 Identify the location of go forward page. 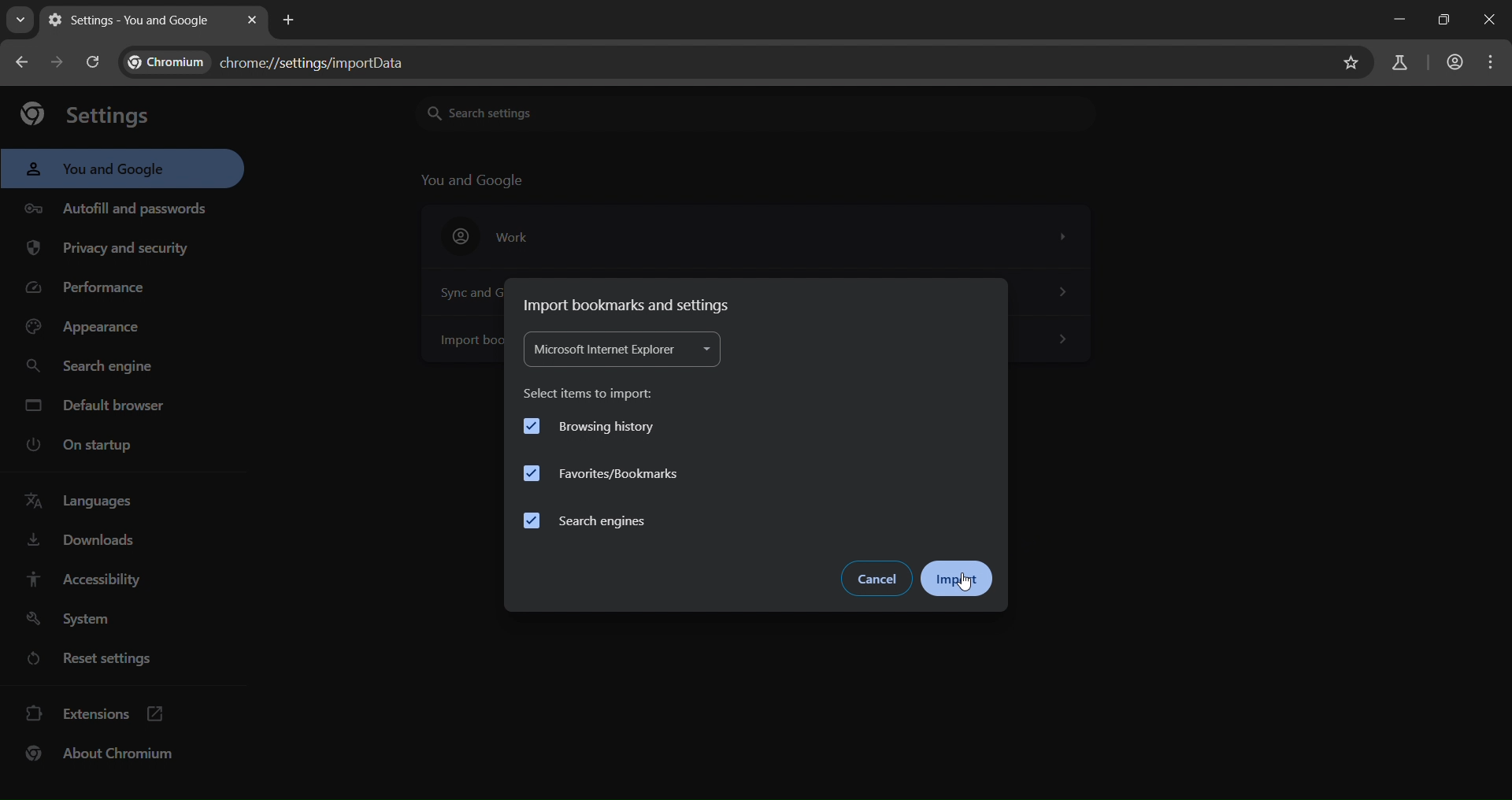
(61, 61).